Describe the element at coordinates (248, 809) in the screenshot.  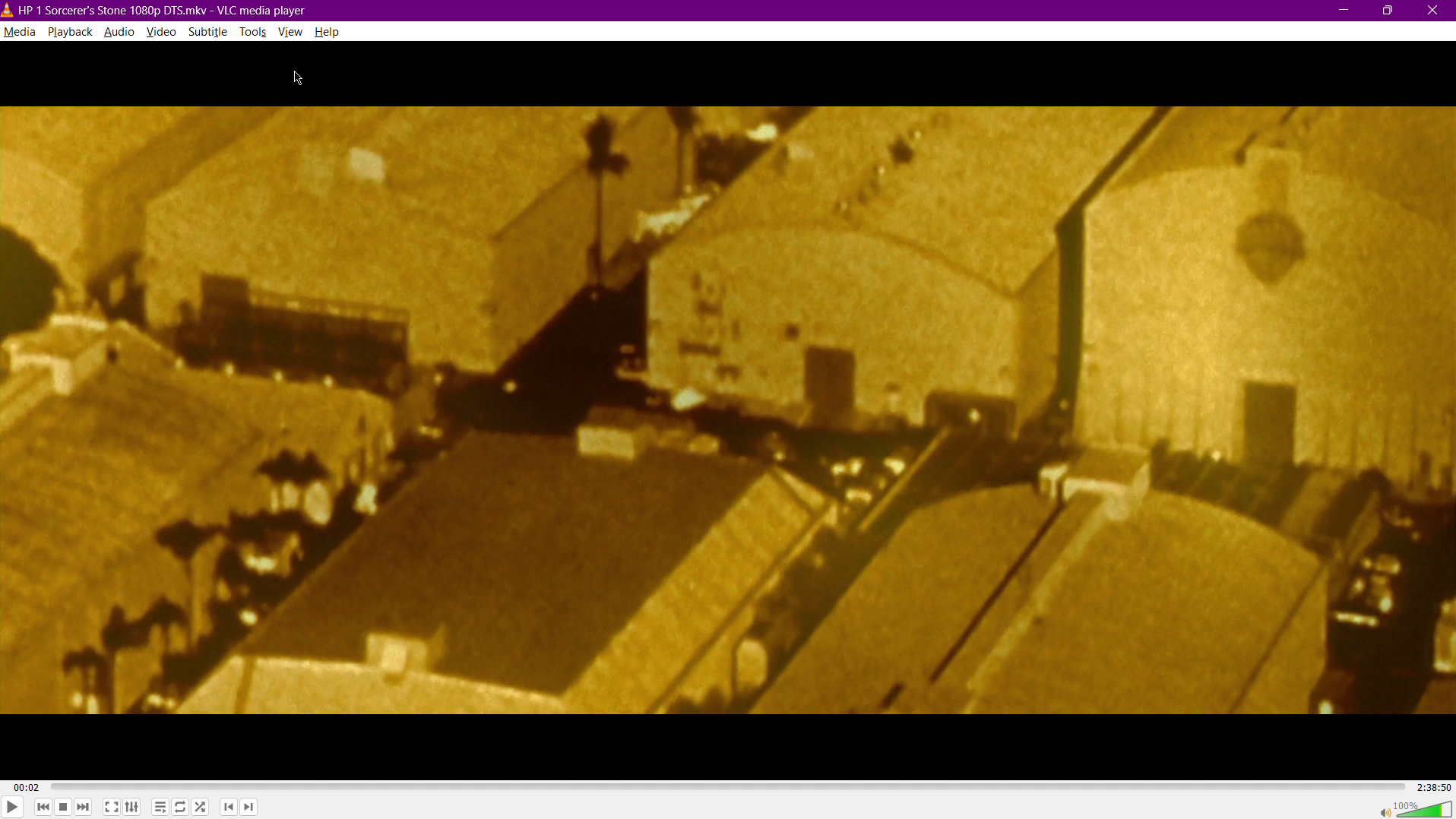
I see `Next Chapter` at that location.